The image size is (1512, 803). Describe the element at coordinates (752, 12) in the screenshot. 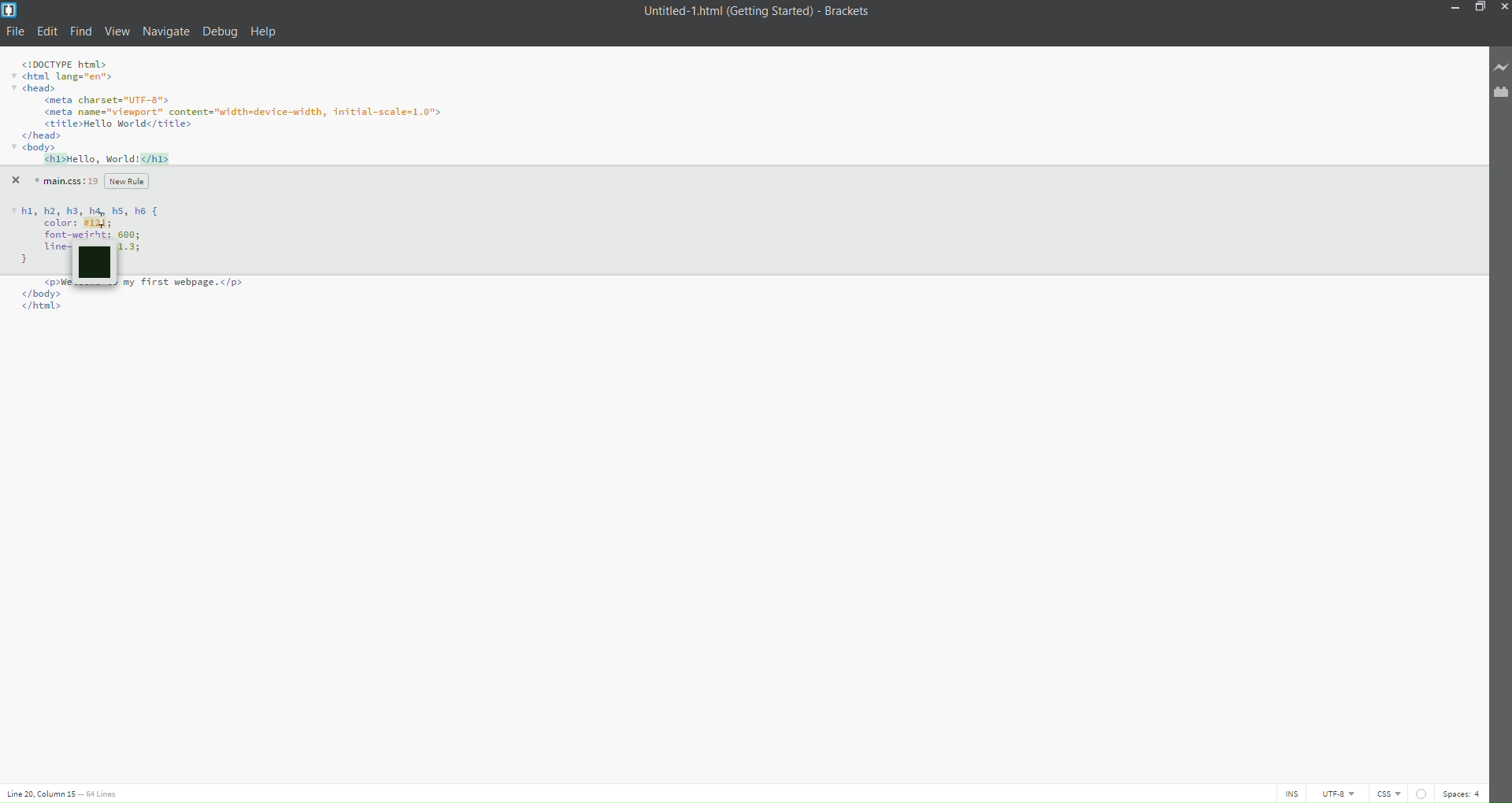

I see `title` at that location.